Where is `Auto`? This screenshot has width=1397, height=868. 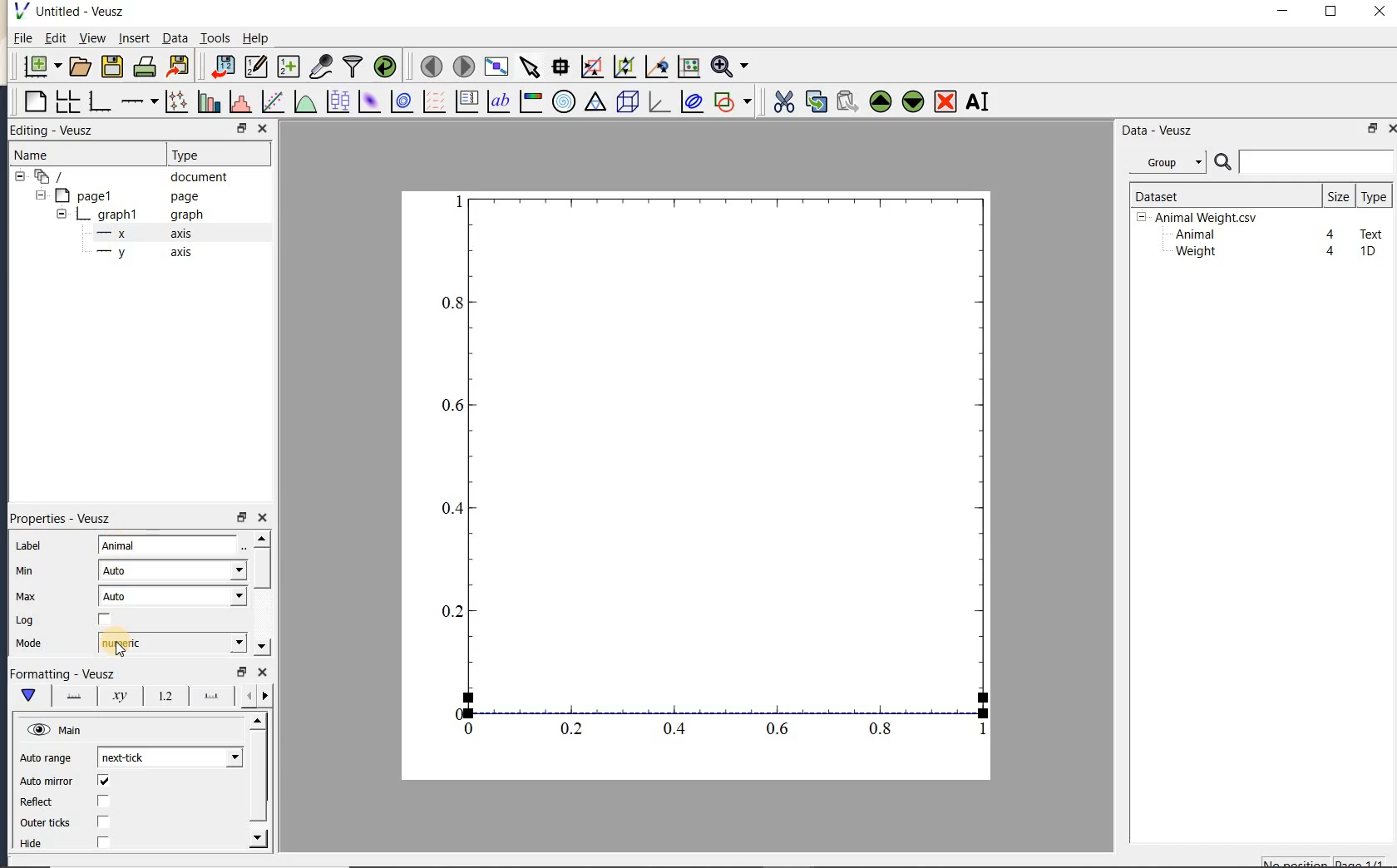
Auto is located at coordinates (172, 570).